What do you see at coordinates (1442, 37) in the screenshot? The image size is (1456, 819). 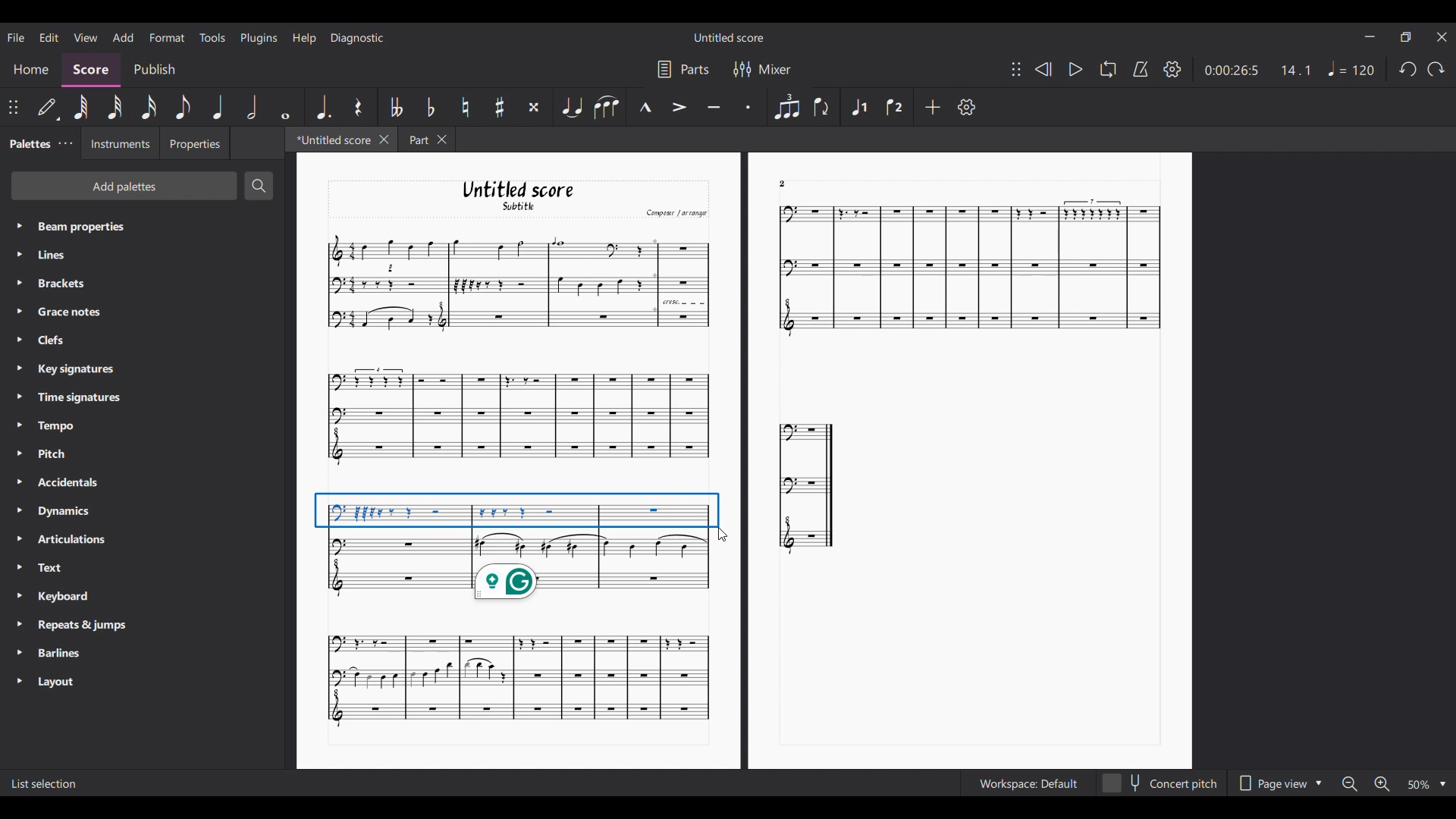 I see `Close interface` at bounding box center [1442, 37].